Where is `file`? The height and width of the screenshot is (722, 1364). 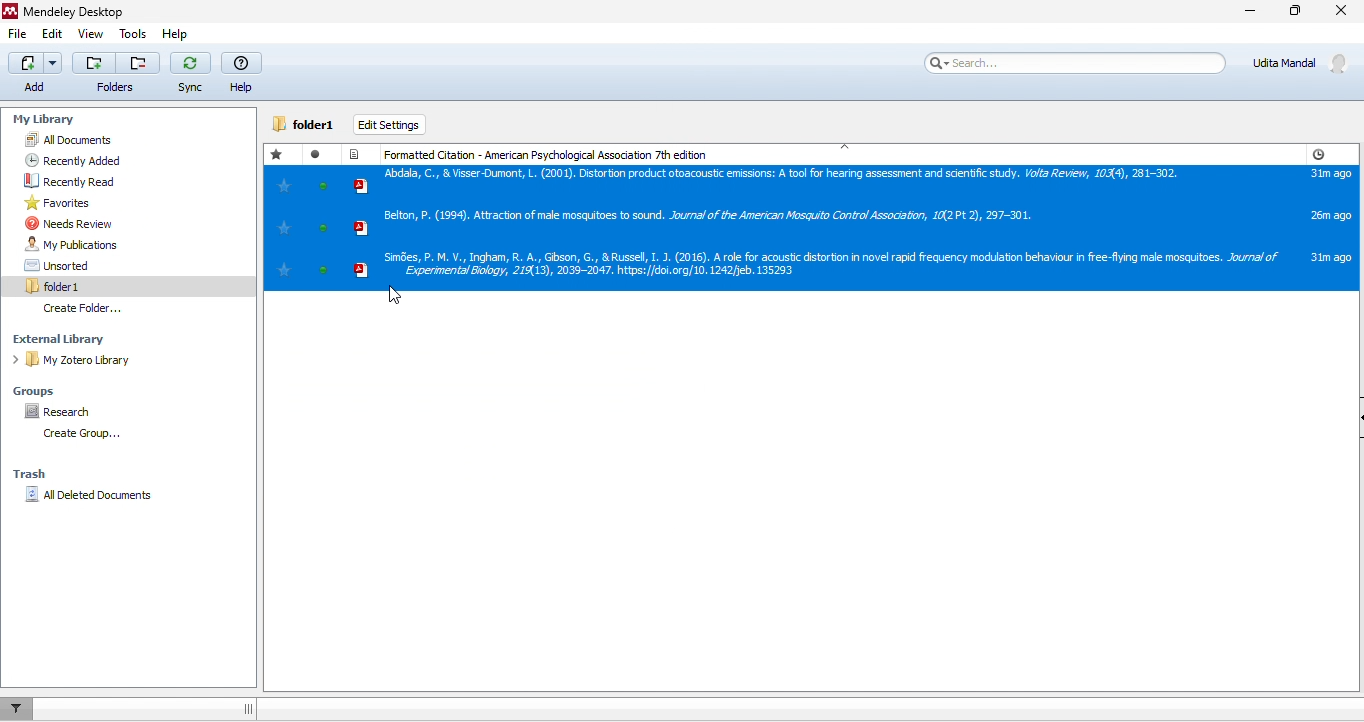 file is located at coordinates (17, 34).